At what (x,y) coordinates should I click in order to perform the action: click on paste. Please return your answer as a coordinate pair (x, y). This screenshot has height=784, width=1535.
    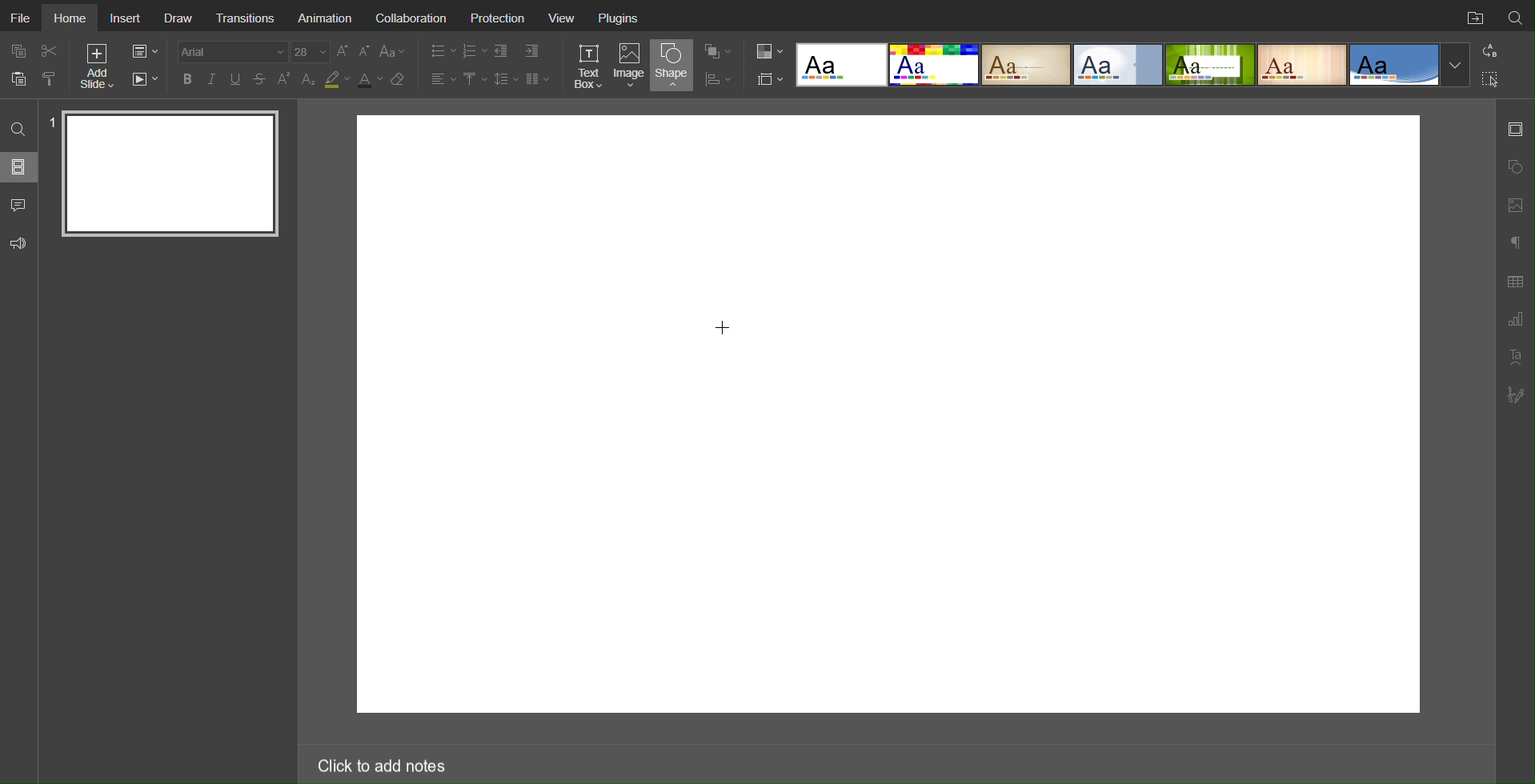
    Looking at the image, I should click on (21, 78).